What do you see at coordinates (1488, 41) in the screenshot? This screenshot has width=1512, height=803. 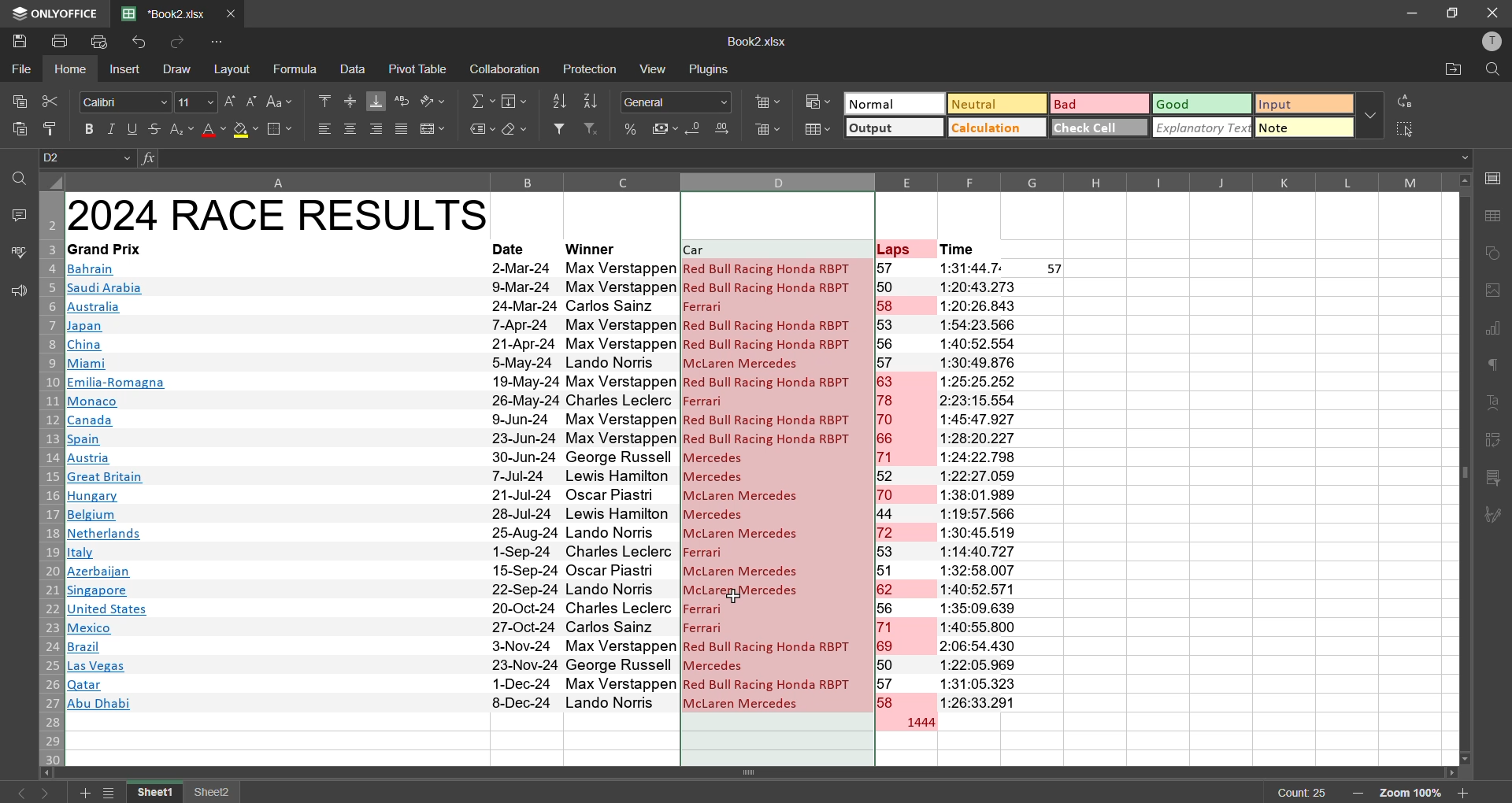 I see `profile` at bounding box center [1488, 41].